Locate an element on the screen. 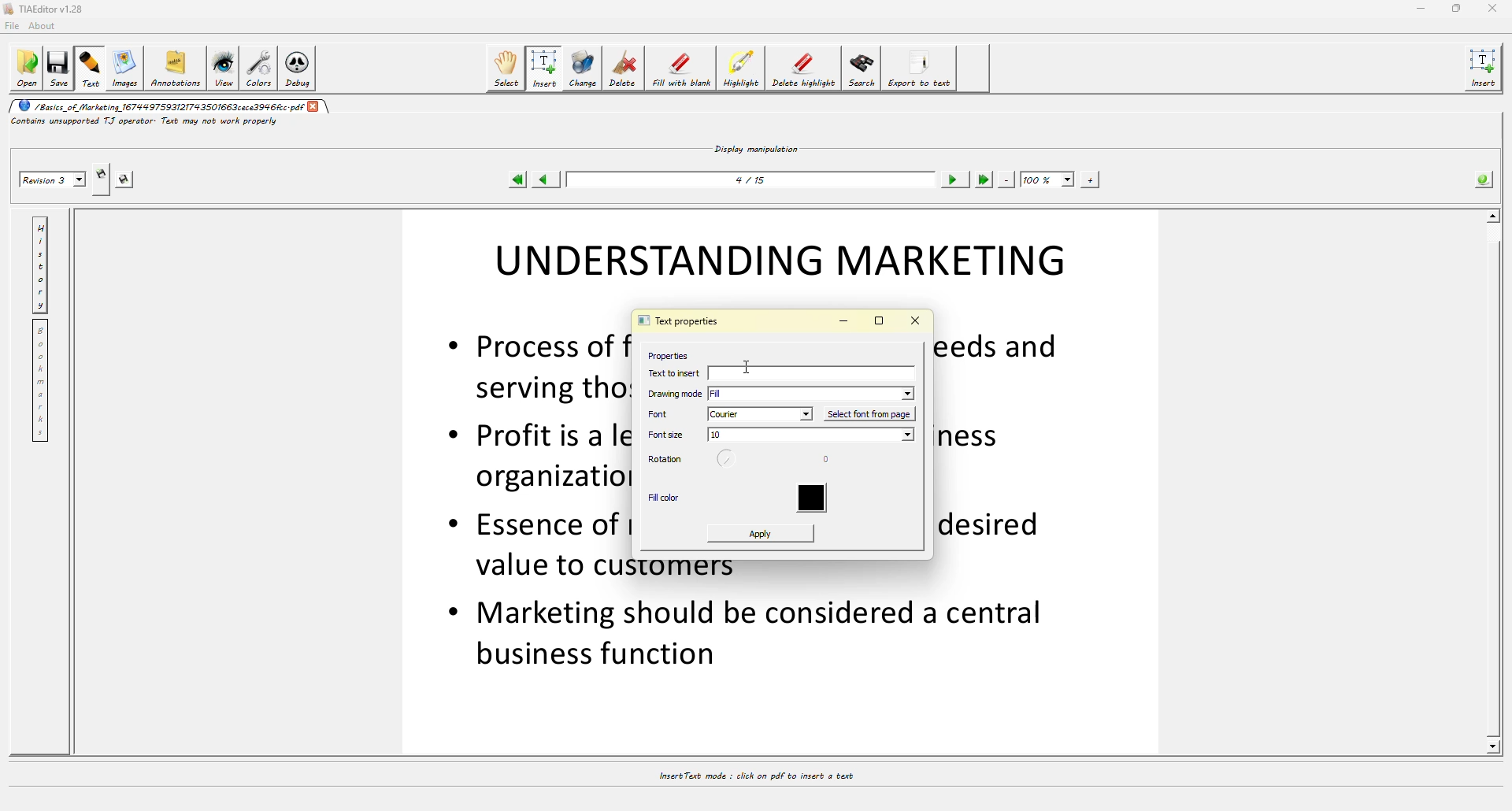 This screenshot has width=1512, height=811. view is located at coordinates (222, 68).